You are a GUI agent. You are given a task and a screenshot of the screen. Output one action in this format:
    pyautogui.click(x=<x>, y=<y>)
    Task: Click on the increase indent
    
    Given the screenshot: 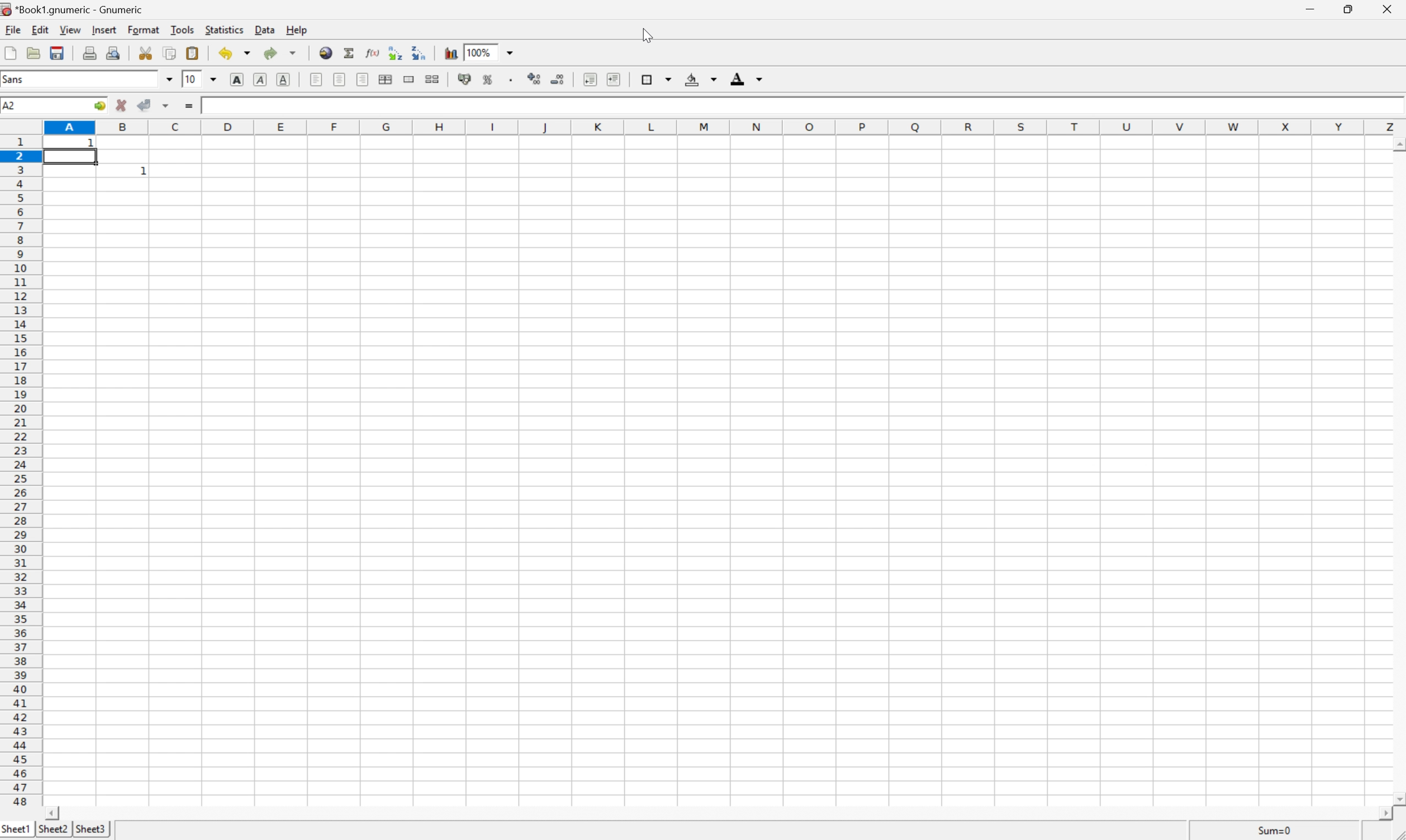 What is the action you would take?
    pyautogui.click(x=614, y=78)
    